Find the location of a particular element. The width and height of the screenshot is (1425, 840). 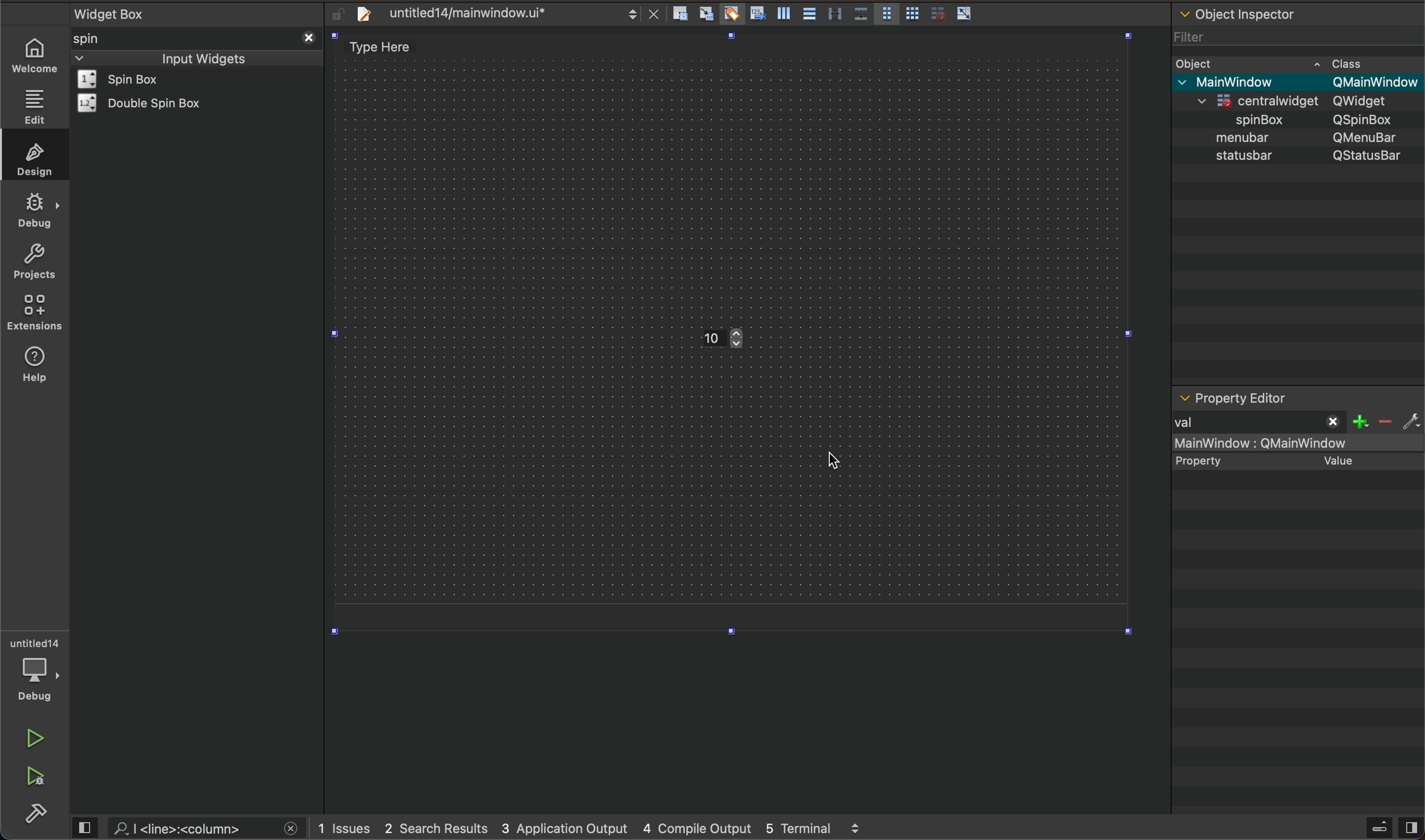

spin box with integet 10 is located at coordinates (739, 340).